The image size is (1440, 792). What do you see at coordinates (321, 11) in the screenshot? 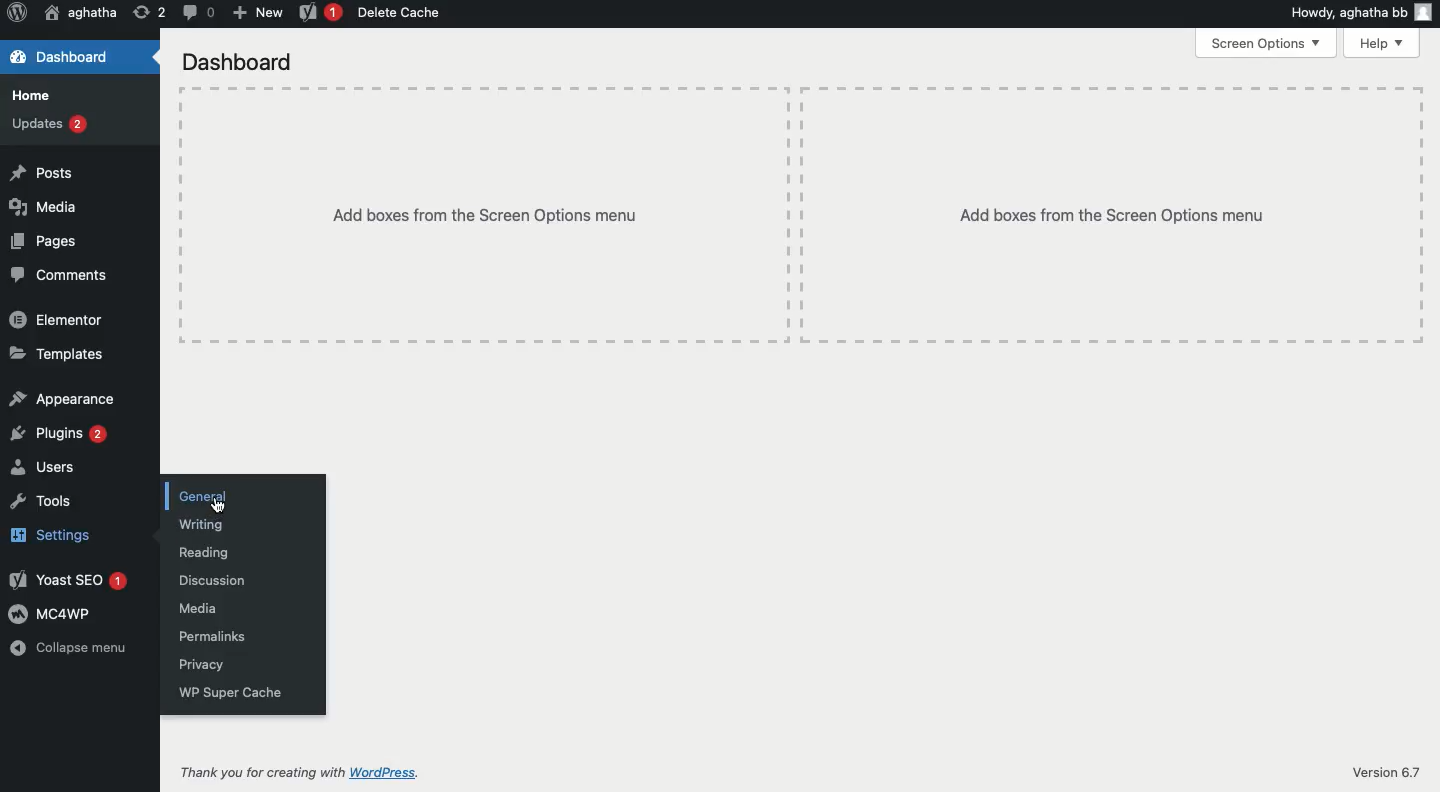
I see `Yoast` at bounding box center [321, 11].